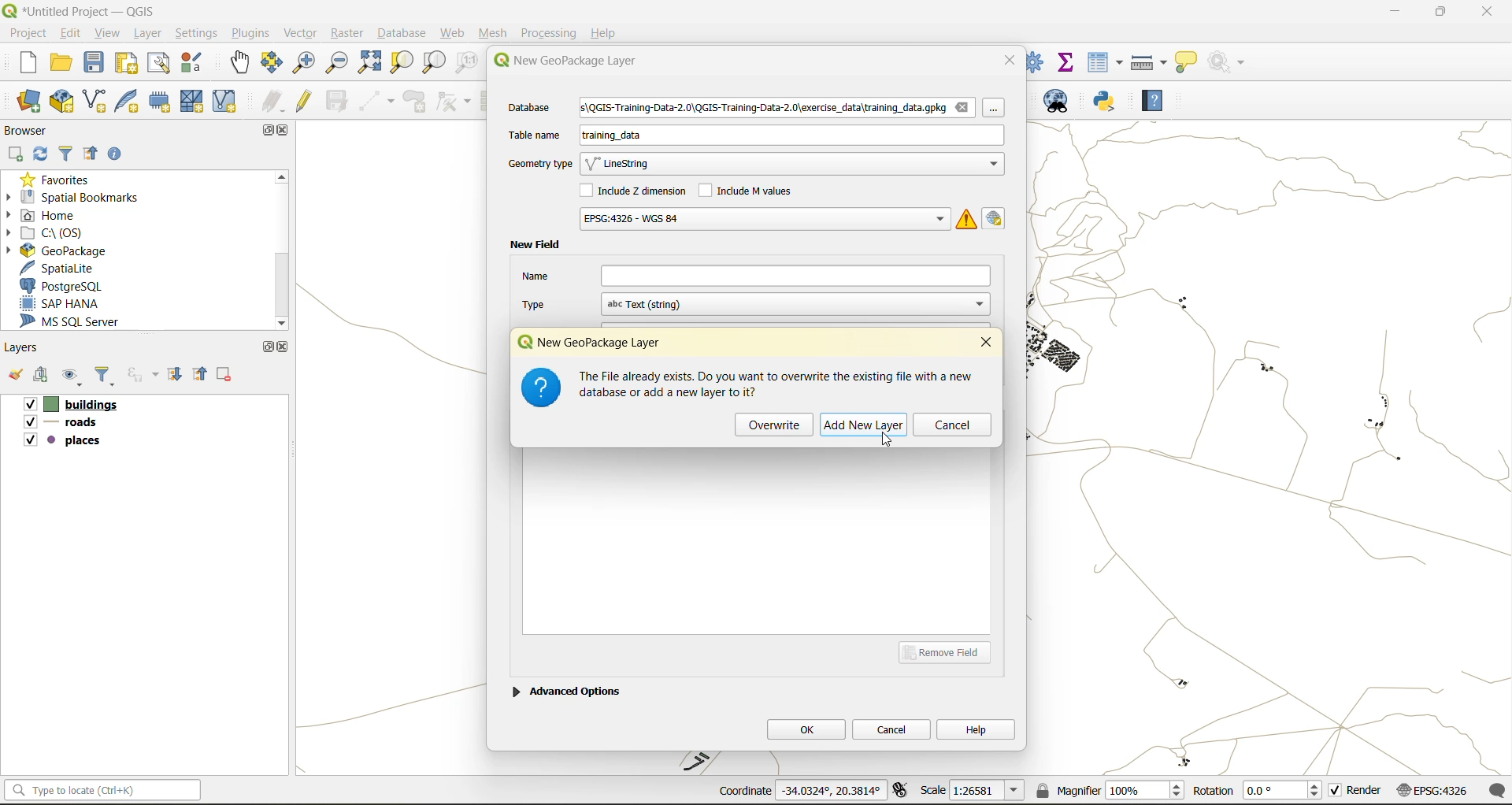 This screenshot has width=1512, height=805. I want to click on filter by expression, so click(145, 374).